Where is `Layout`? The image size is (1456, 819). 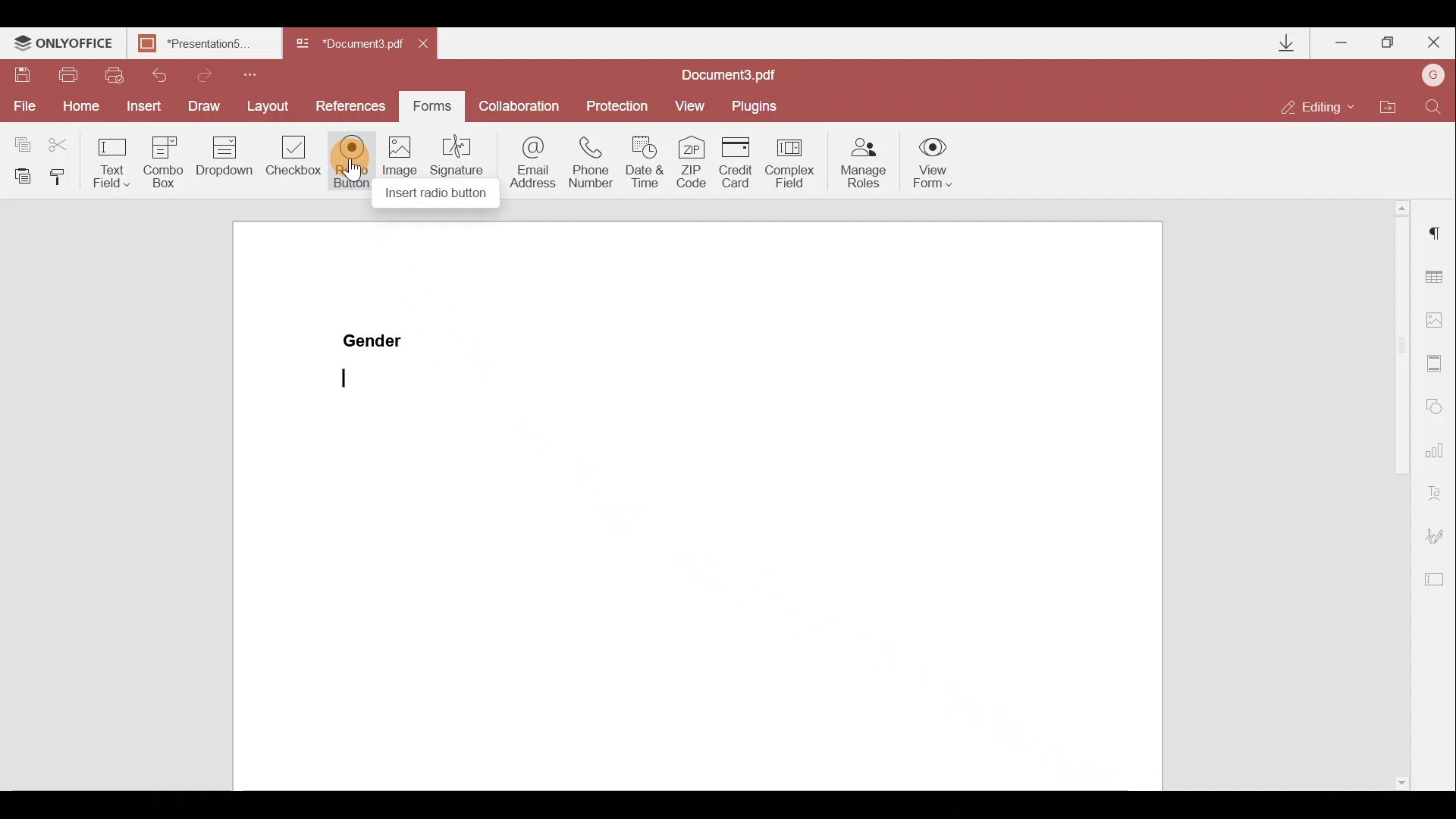
Layout is located at coordinates (271, 108).